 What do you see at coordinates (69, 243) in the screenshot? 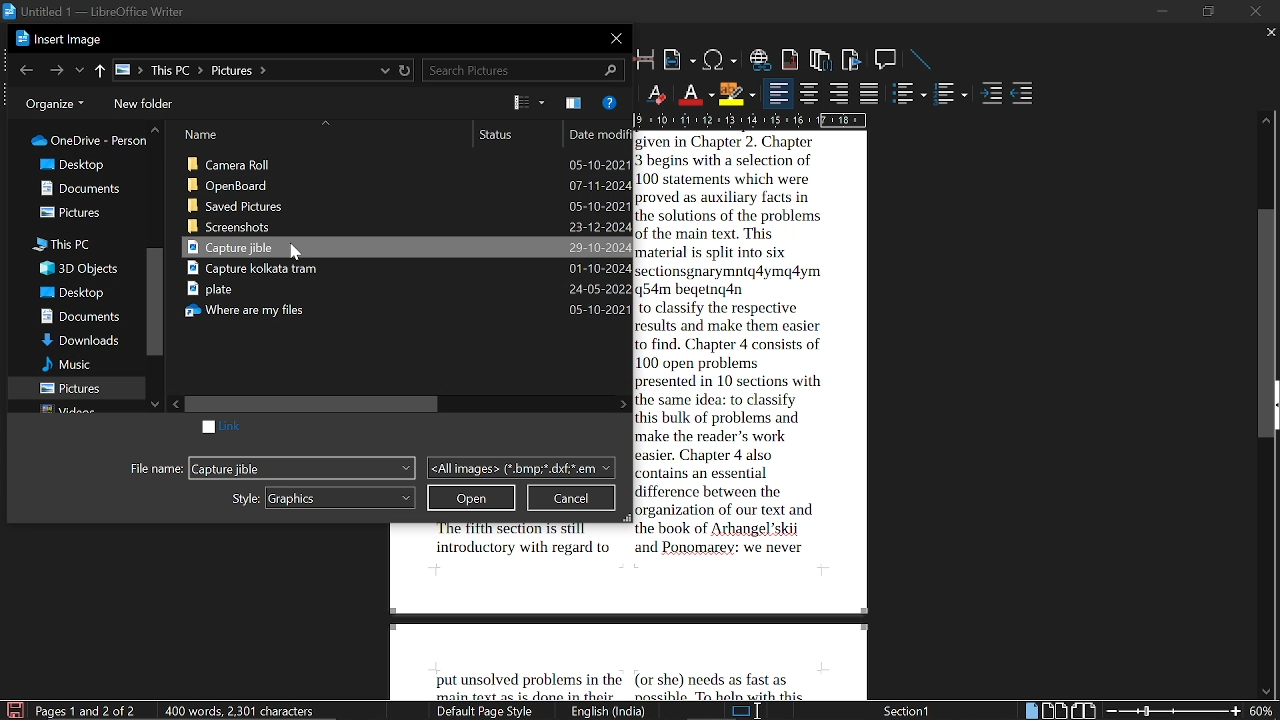
I see `this pc` at bounding box center [69, 243].